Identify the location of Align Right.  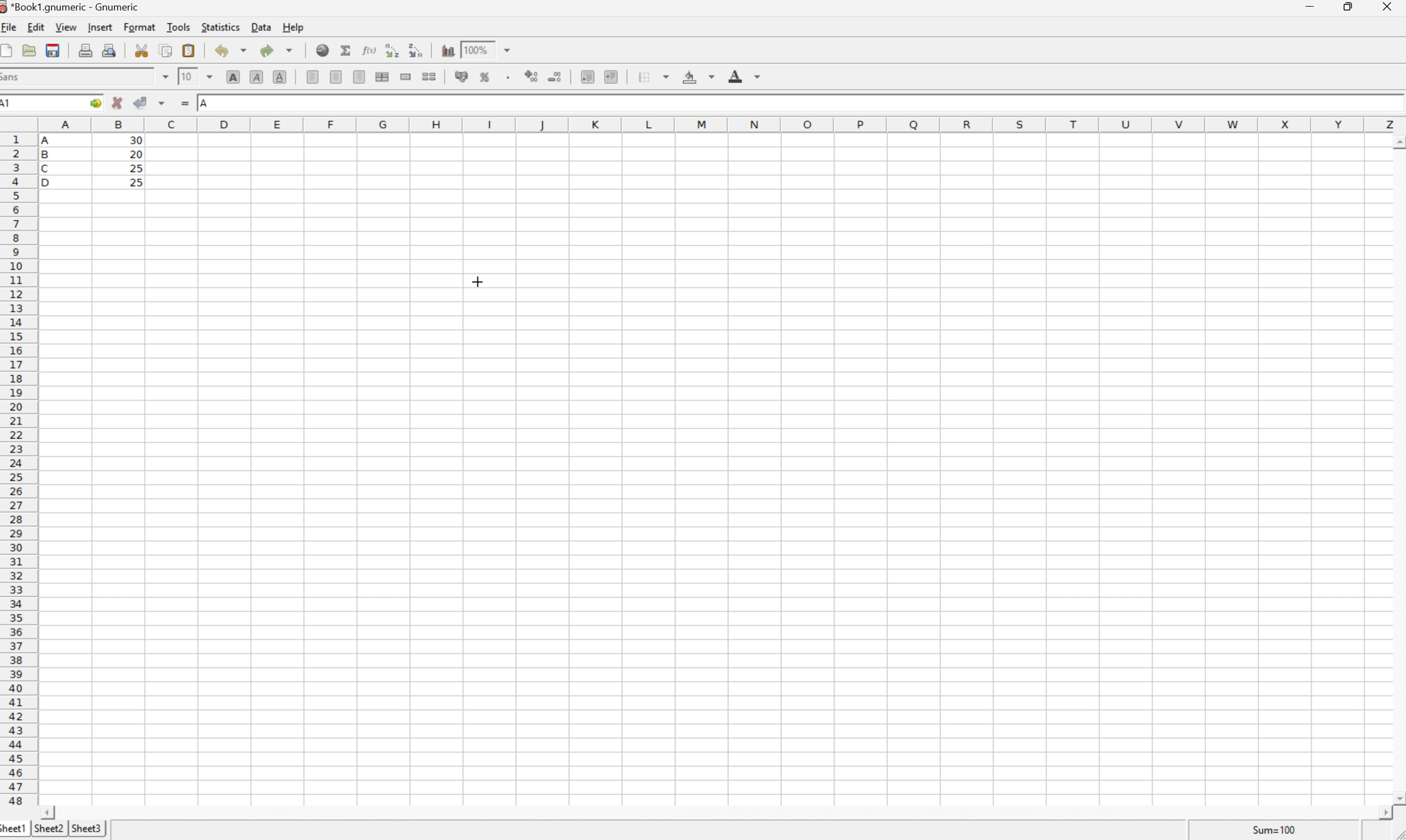
(360, 77).